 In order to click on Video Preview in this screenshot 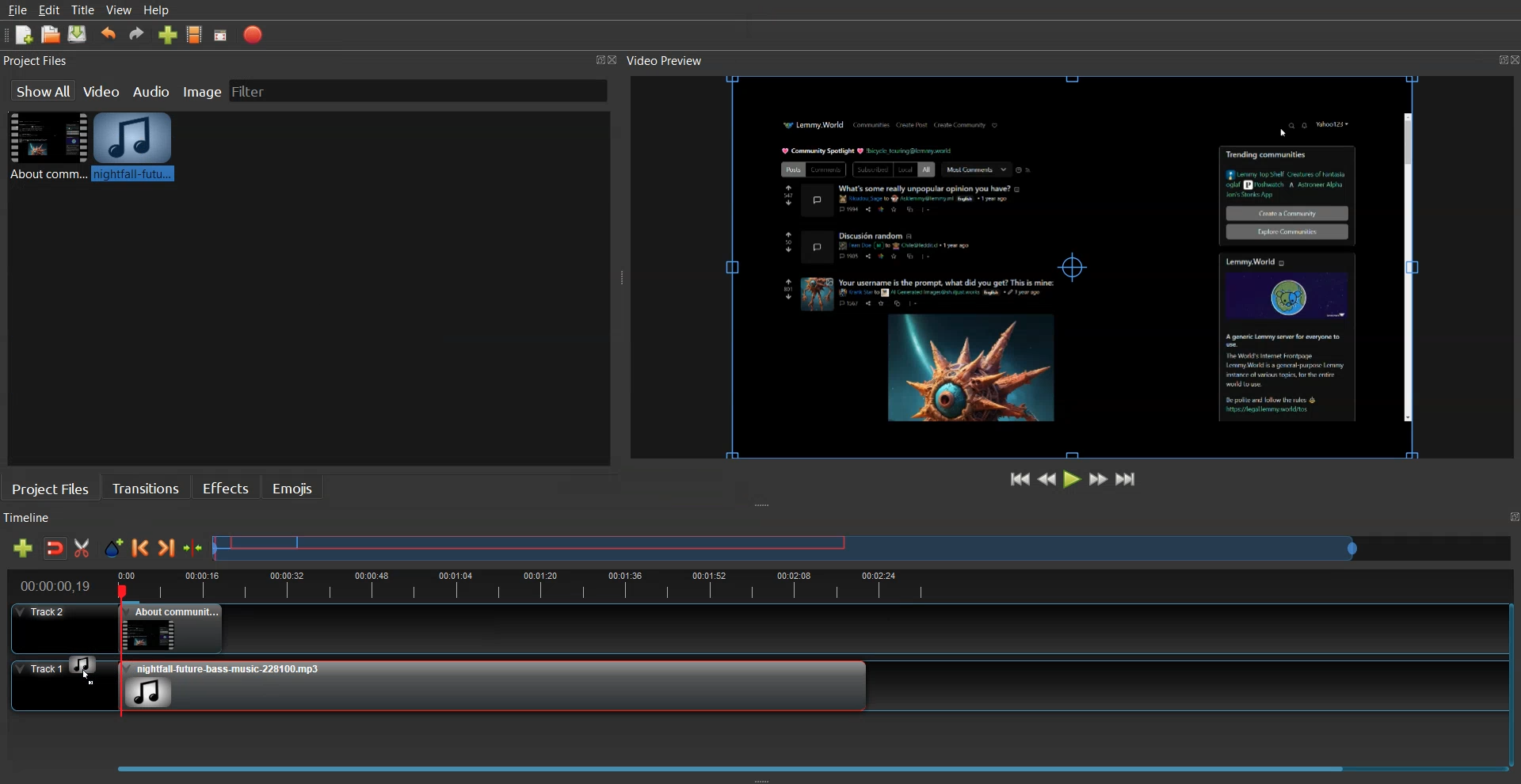, I will do `click(673, 61)`.